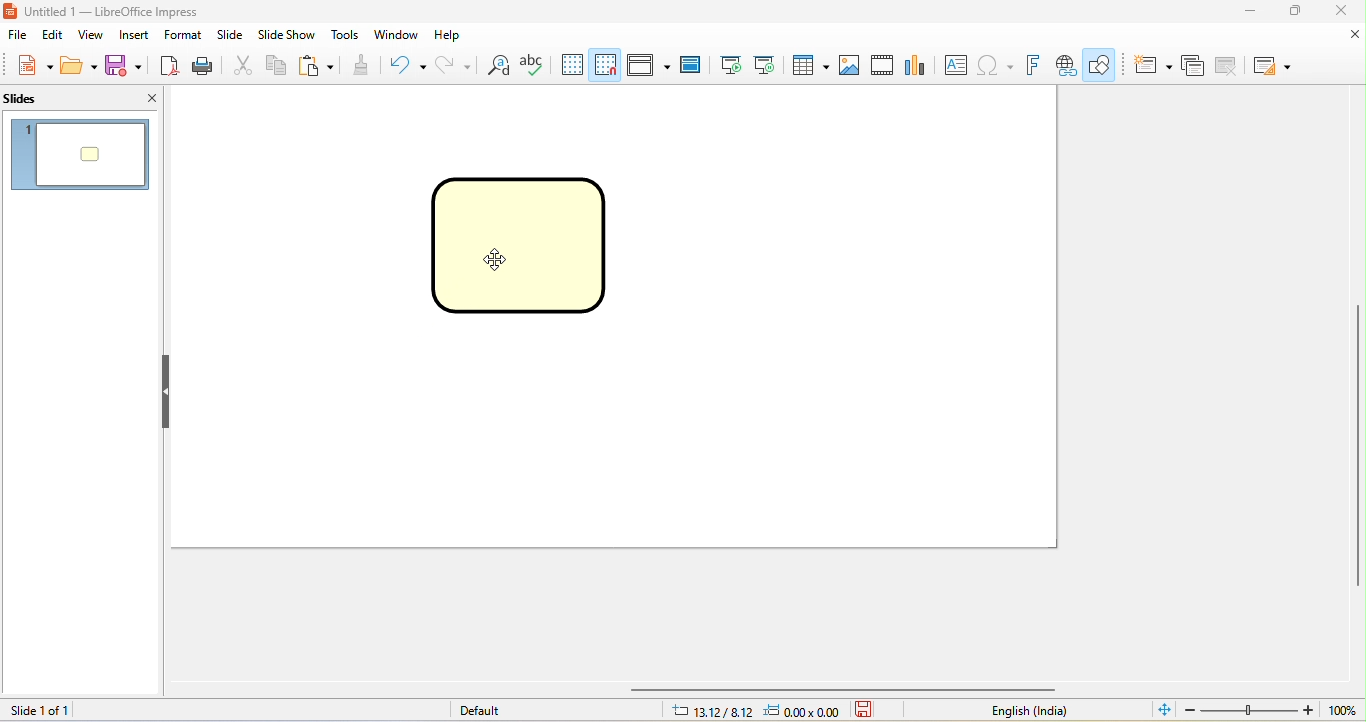  Describe the element at coordinates (241, 64) in the screenshot. I see `cut` at that location.